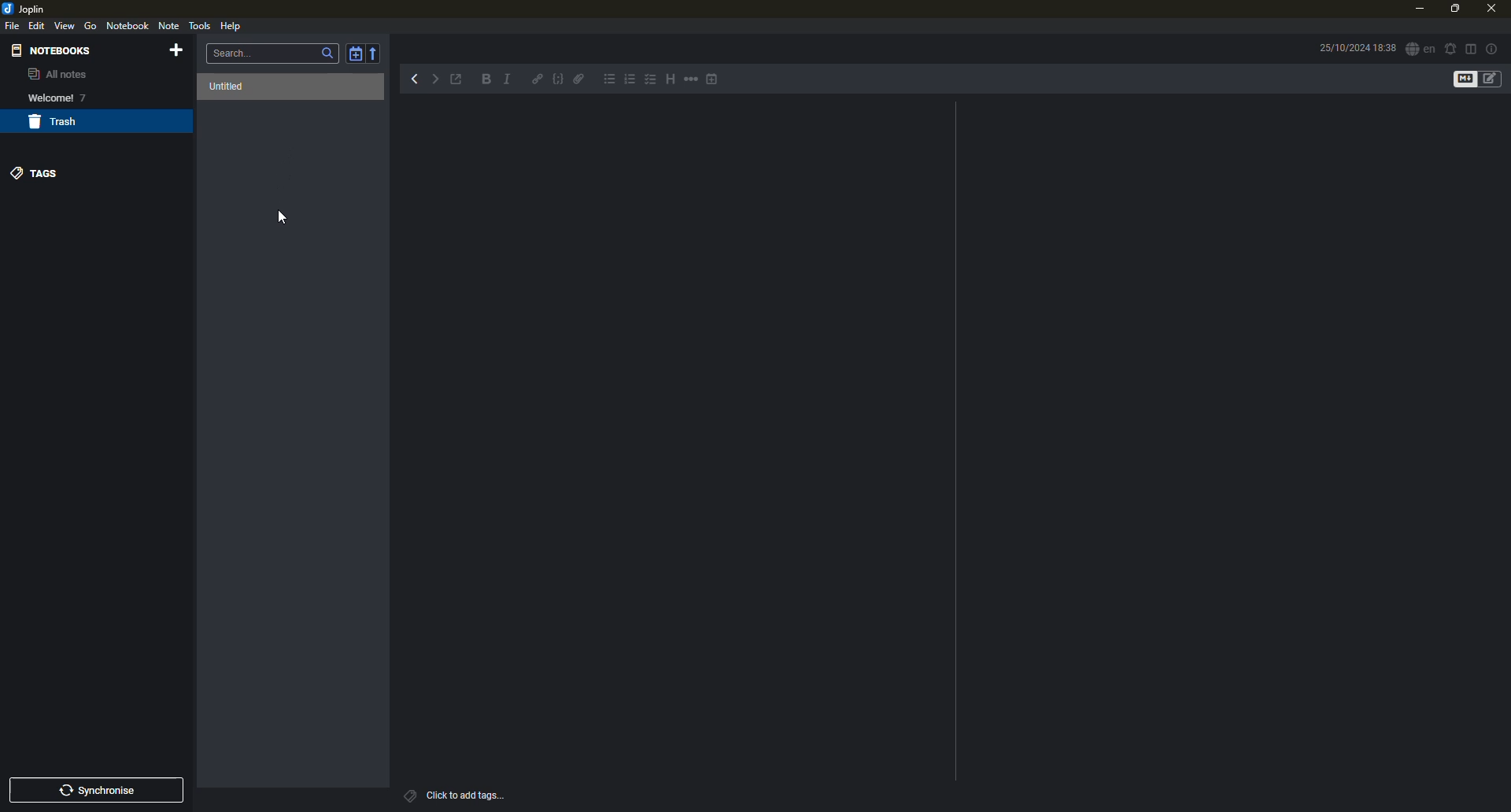 This screenshot has height=812, width=1511. I want to click on close, so click(1490, 7).